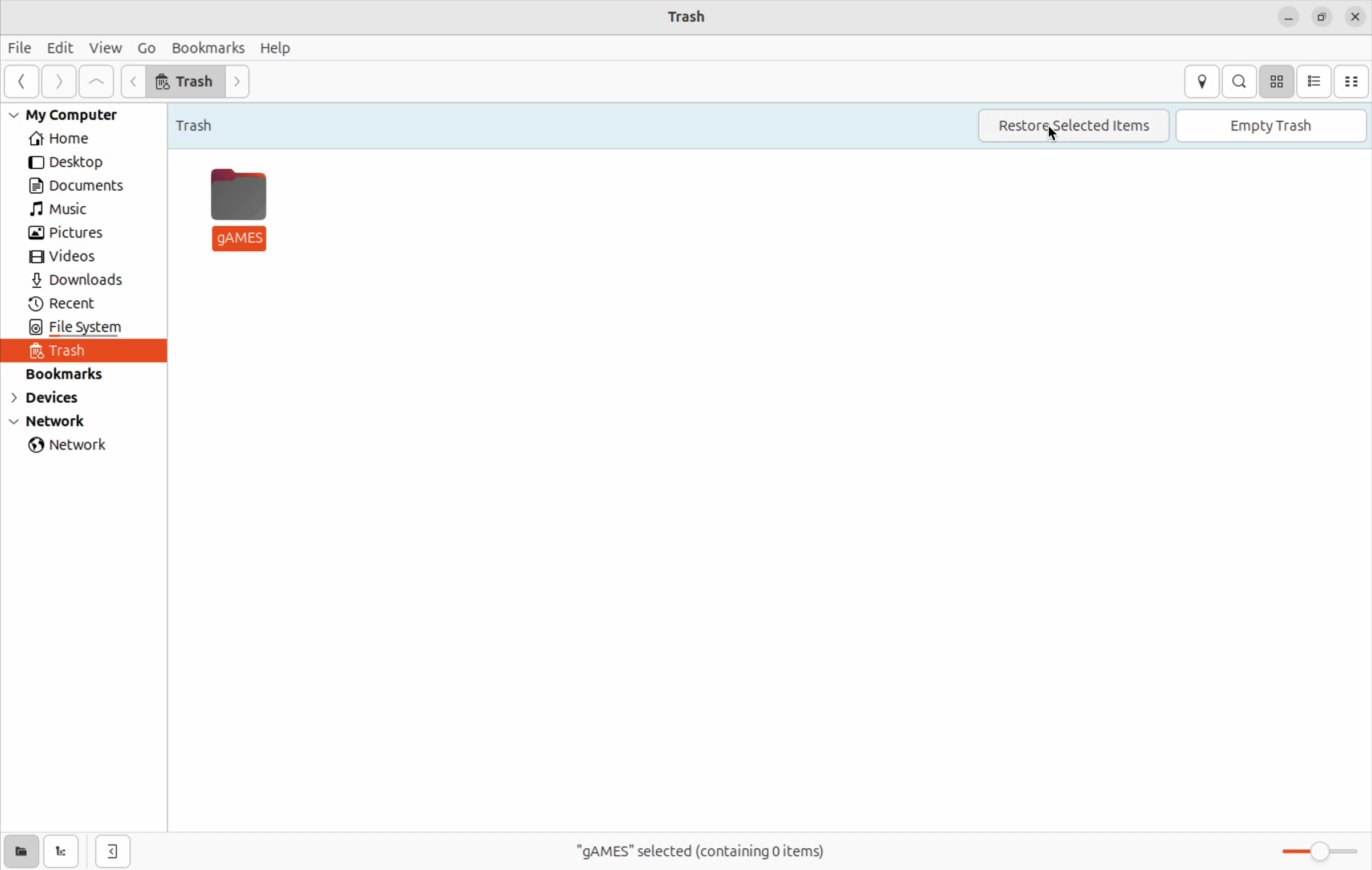 The height and width of the screenshot is (870, 1372). I want to click on 0 items free space 51.8 Gb remaining., so click(692, 851).